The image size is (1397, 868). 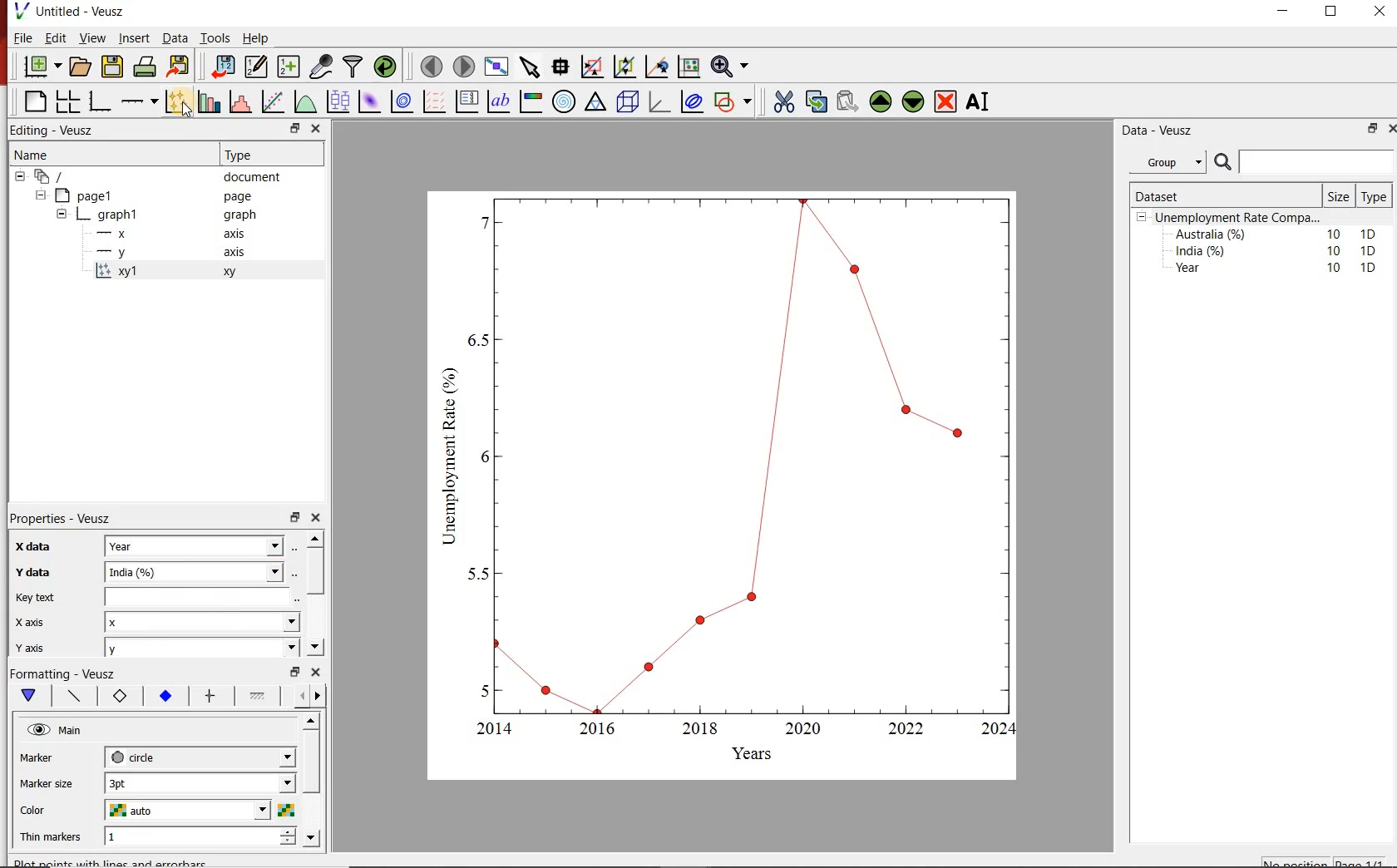 I want to click on minimise, so click(x=294, y=516).